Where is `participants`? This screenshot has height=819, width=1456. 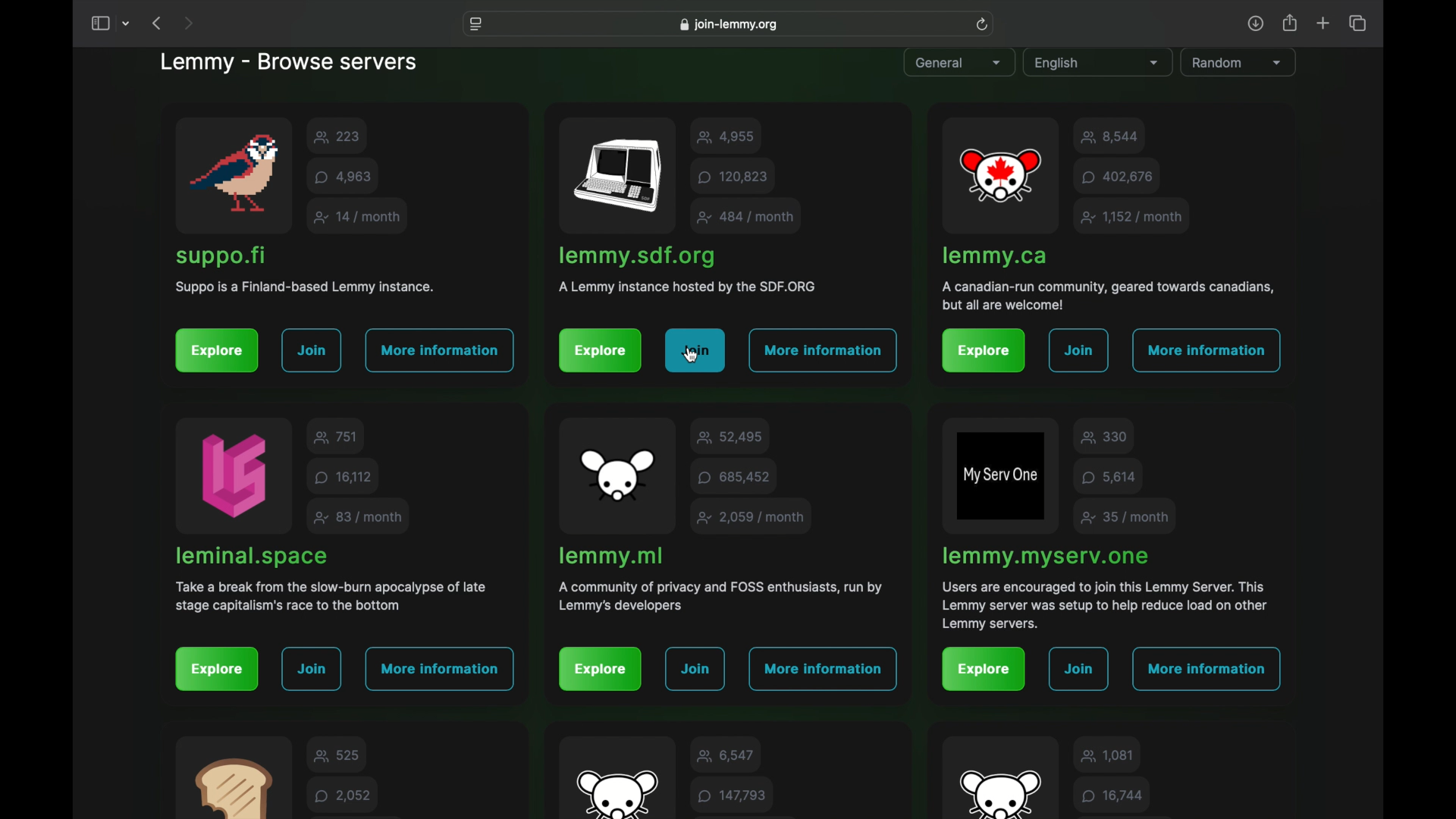 participants is located at coordinates (338, 755).